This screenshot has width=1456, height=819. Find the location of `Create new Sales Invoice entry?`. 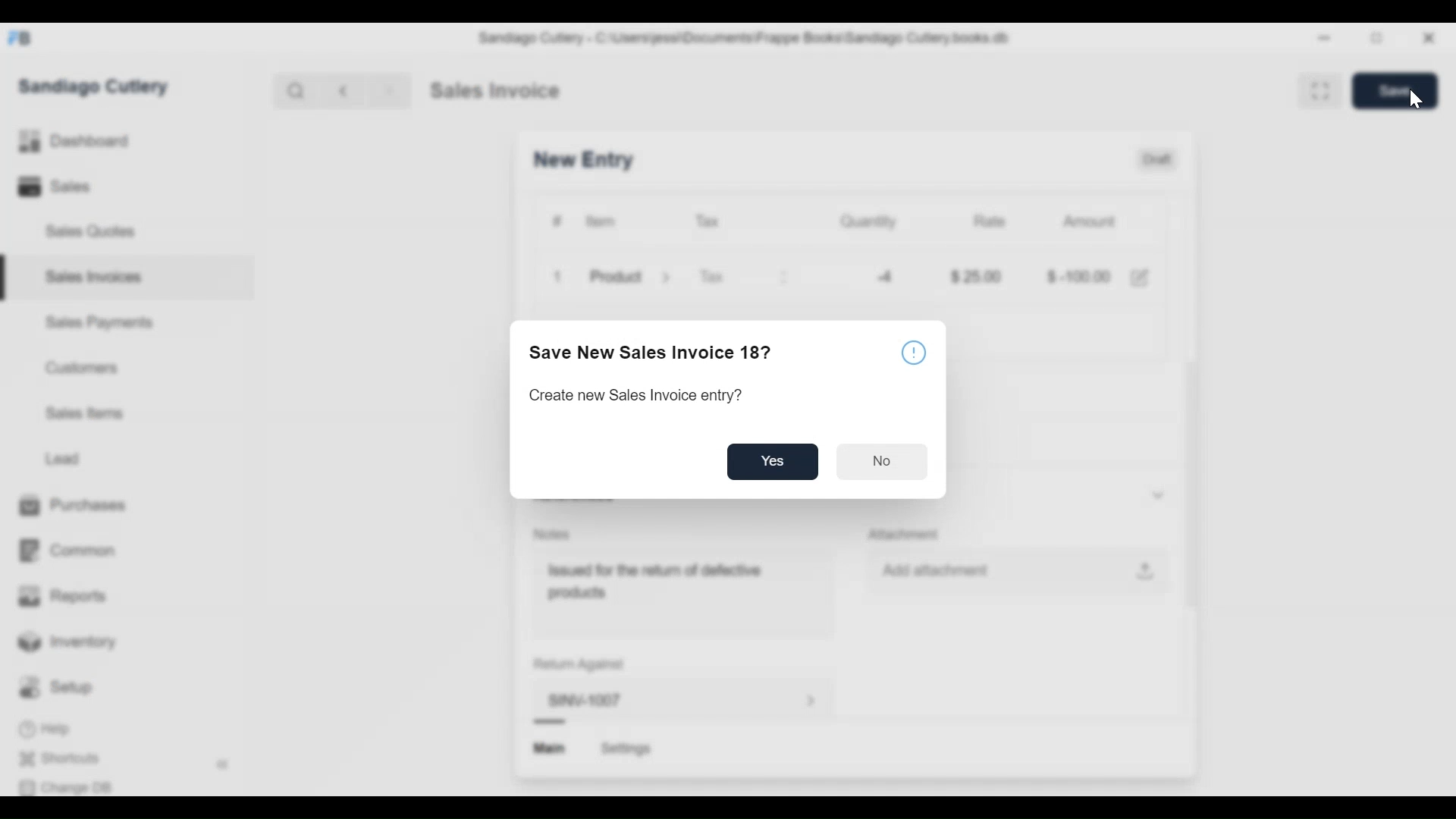

Create new Sales Invoice entry? is located at coordinates (633, 396).